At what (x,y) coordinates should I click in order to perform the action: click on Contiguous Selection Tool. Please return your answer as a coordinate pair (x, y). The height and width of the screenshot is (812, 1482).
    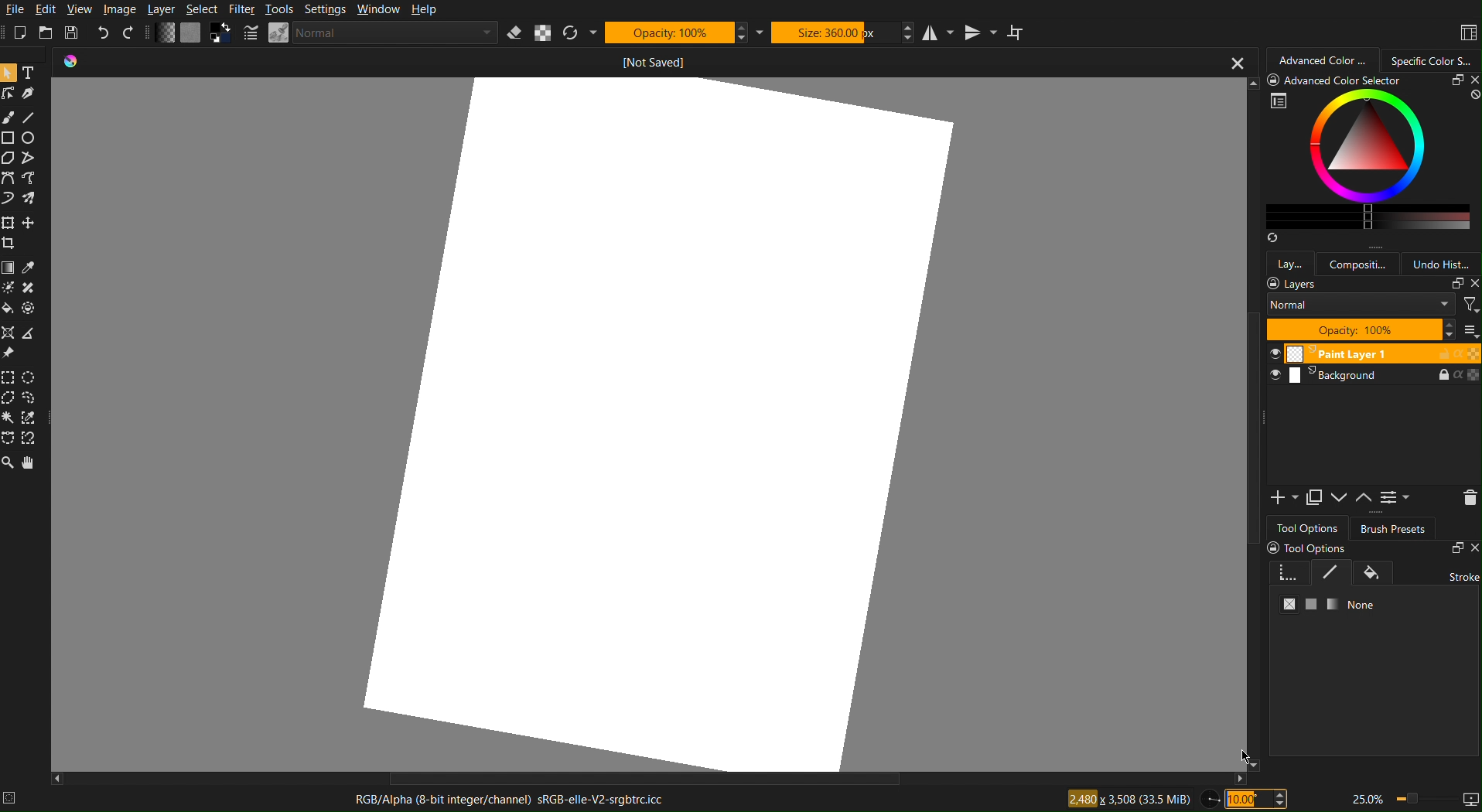
    Looking at the image, I should click on (8, 418).